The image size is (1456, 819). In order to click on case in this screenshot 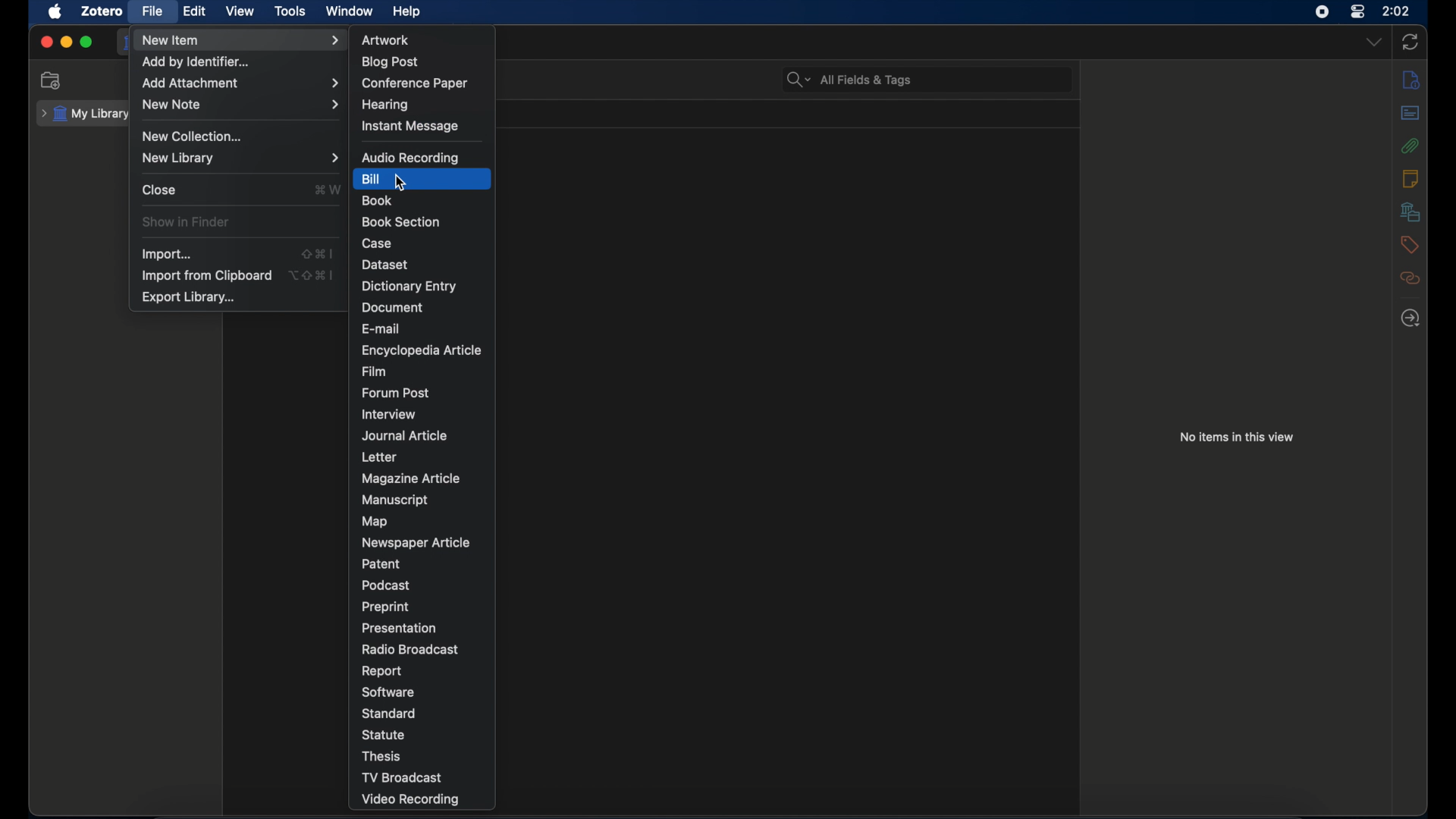, I will do `click(378, 244)`.